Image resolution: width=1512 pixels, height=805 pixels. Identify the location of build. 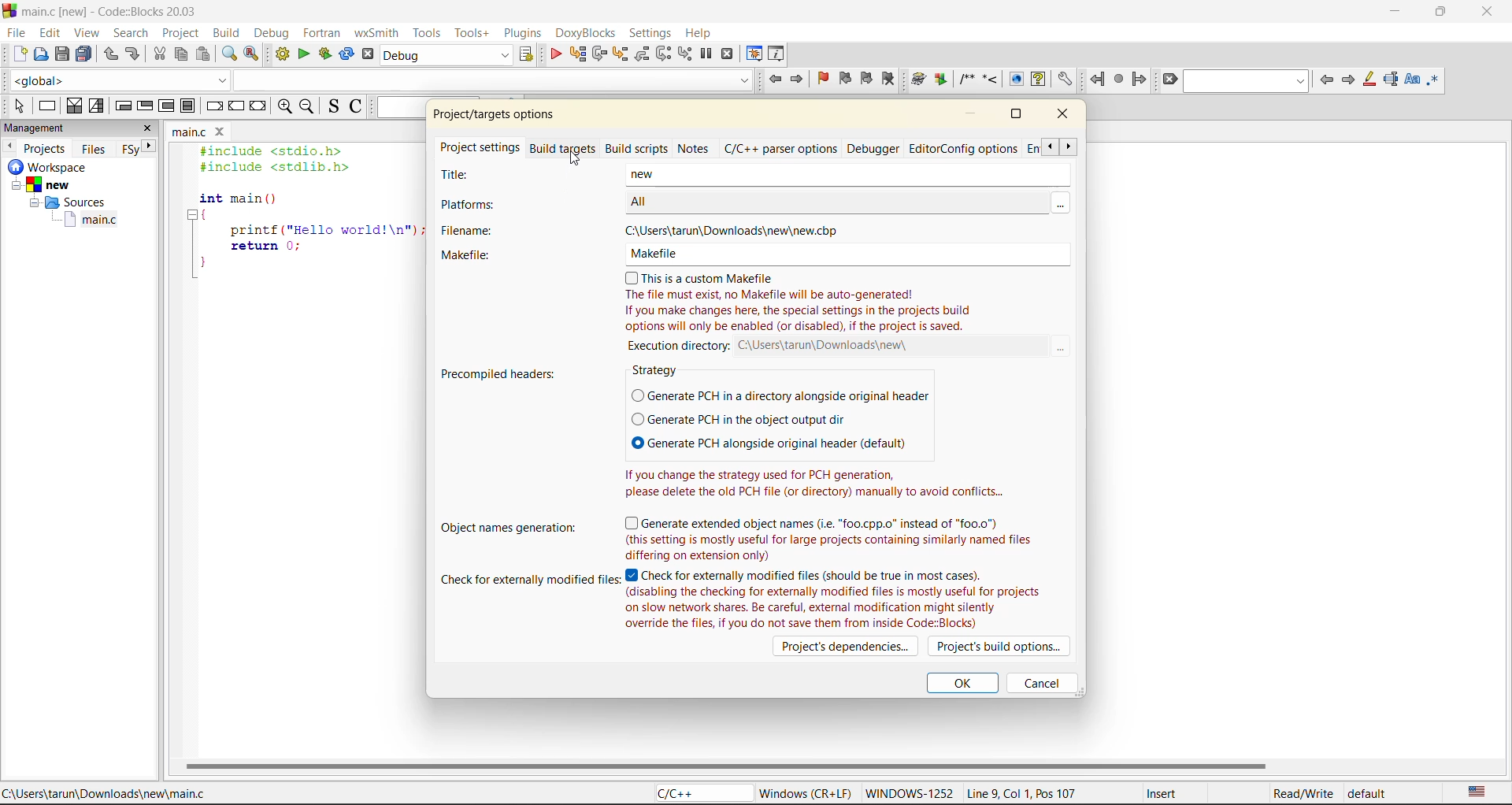
(226, 33).